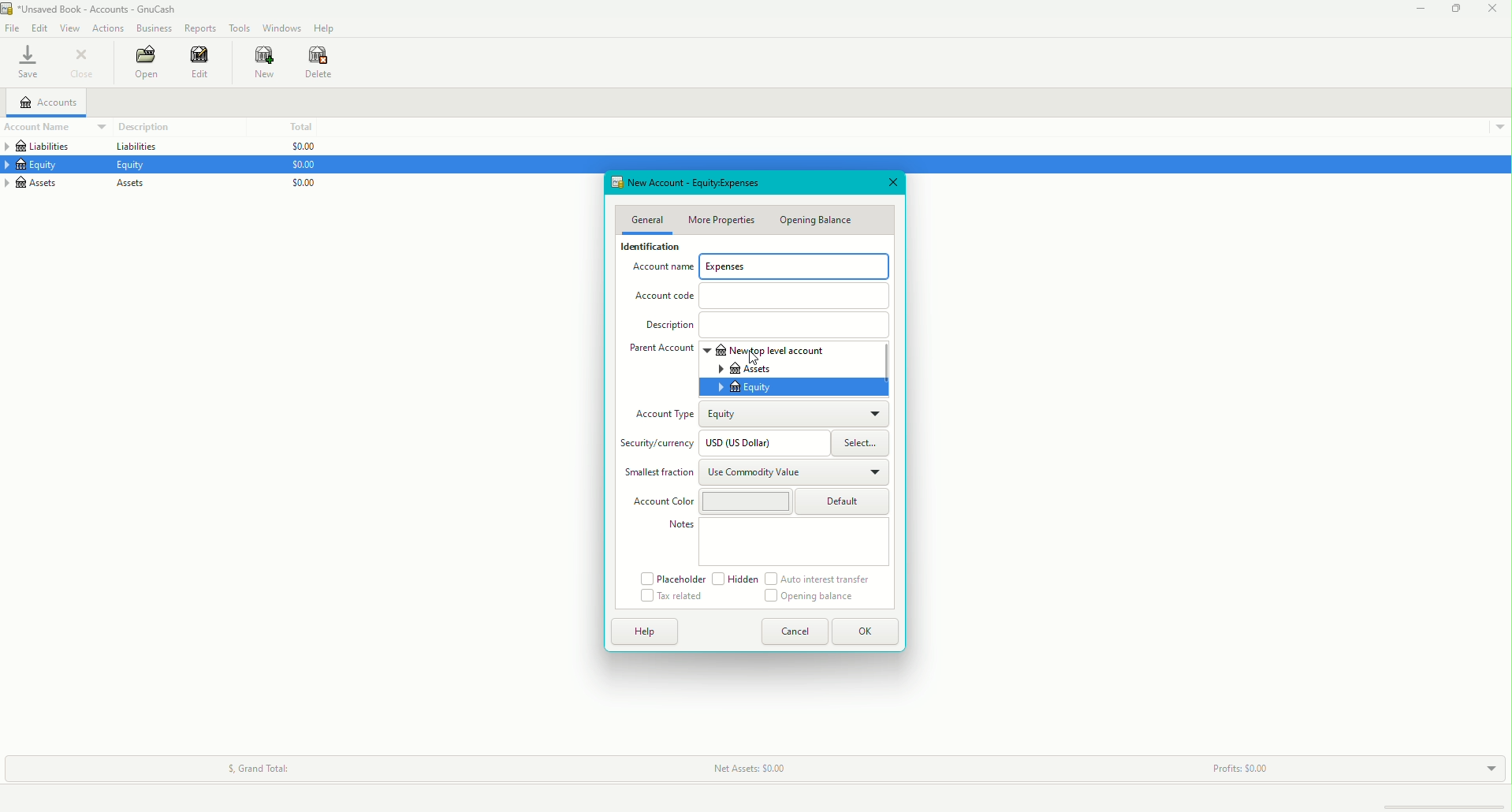 The image size is (1512, 812). I want to click on , so click(133, 166).